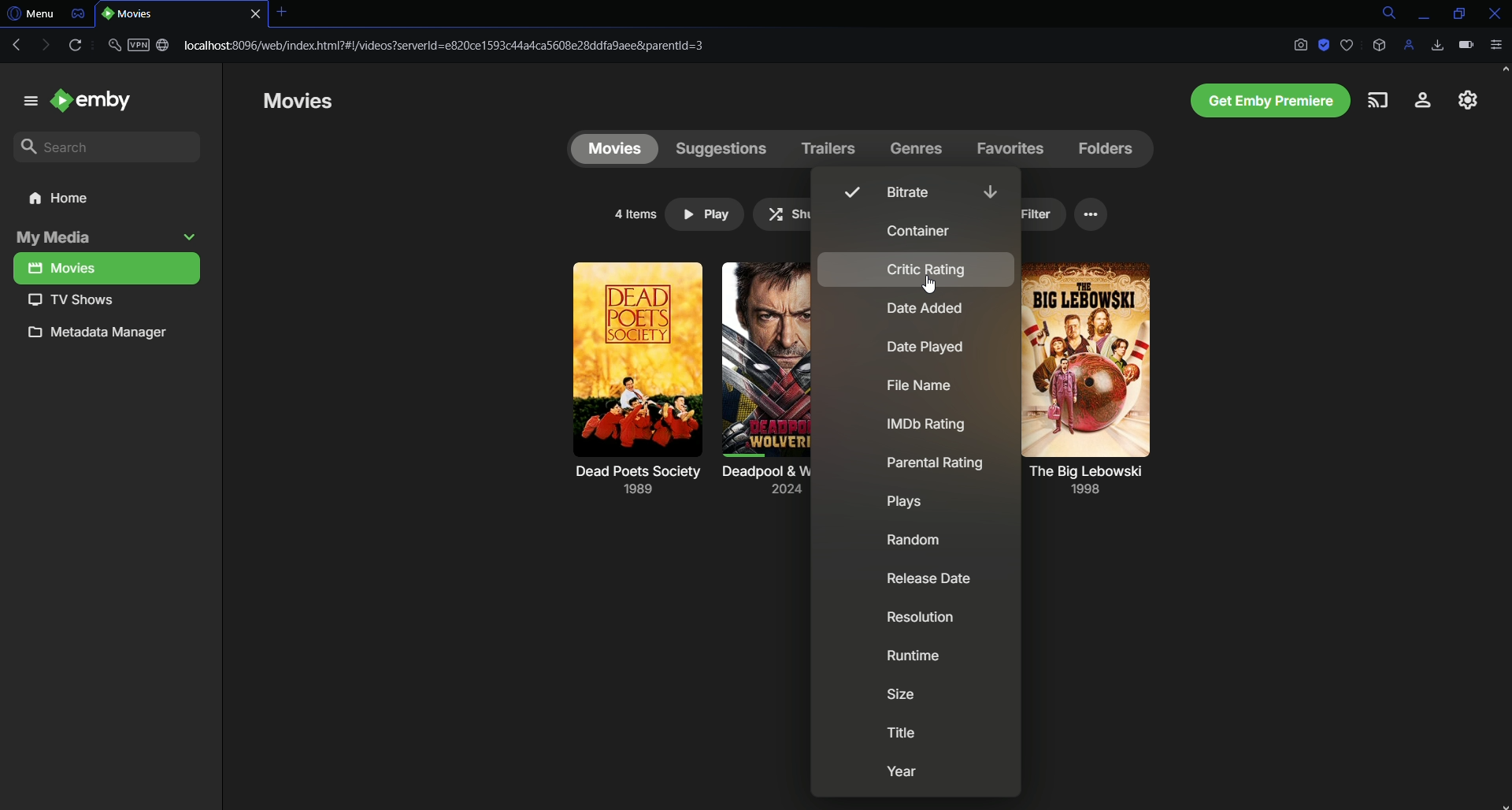  I want to click on Plays, so click(906, 505).